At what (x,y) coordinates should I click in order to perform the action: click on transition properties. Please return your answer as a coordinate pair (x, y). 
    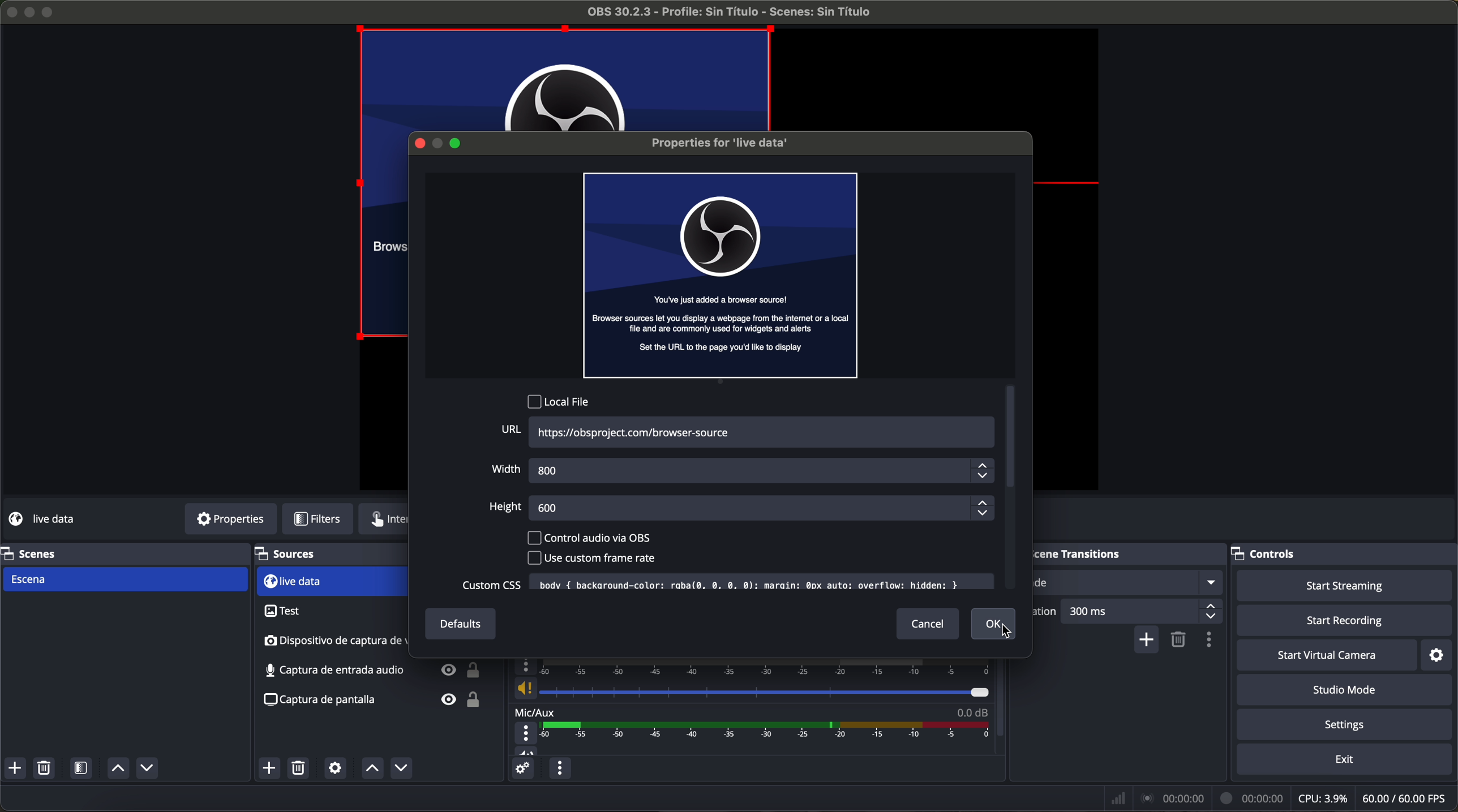
    Looking at the image, I should click on (1211, 641).